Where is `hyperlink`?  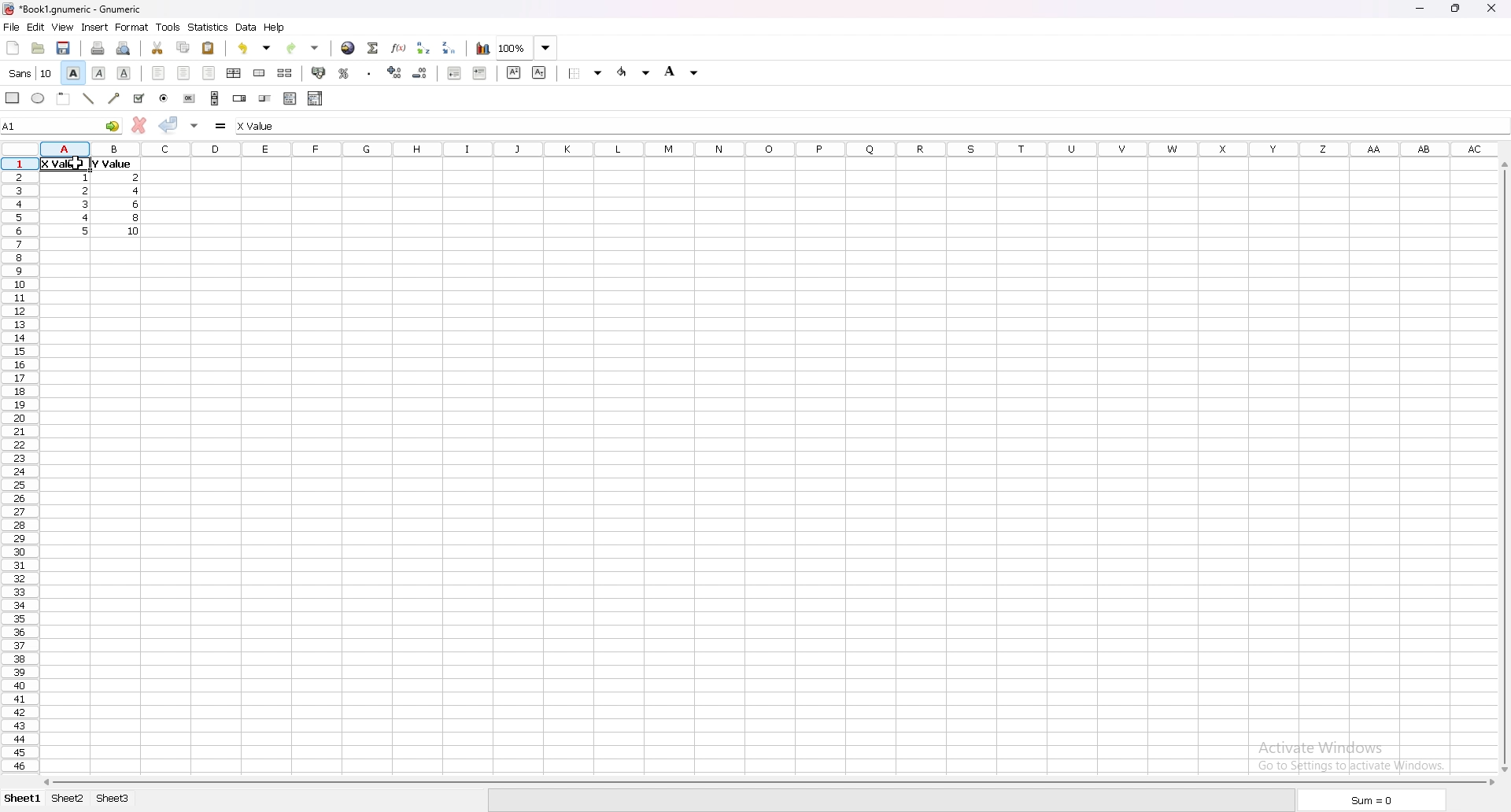 hyperlink is located at coordinates (348, 48).